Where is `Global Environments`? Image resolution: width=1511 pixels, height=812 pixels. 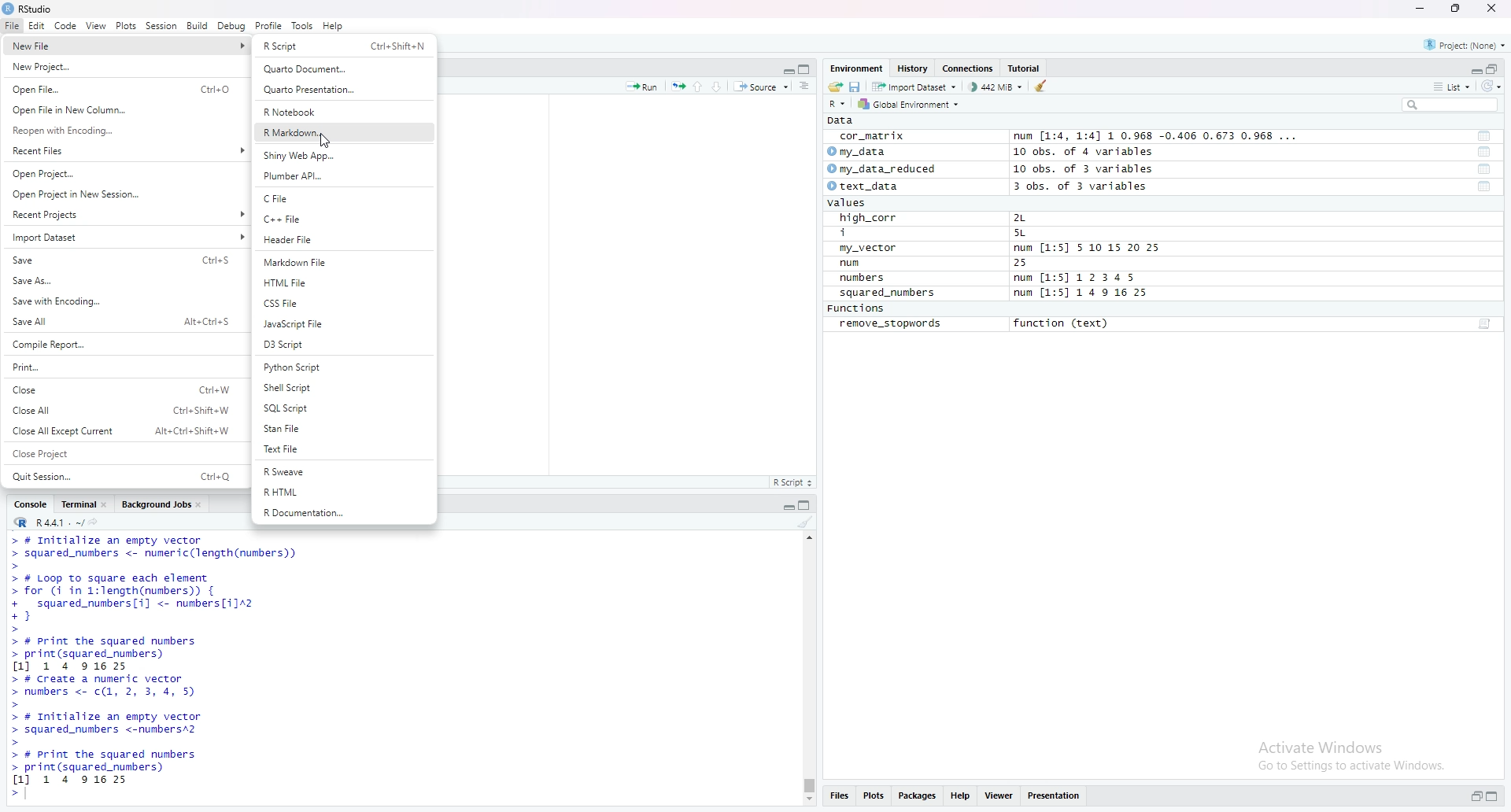 Global Environments is located at coordinates (907, 105).